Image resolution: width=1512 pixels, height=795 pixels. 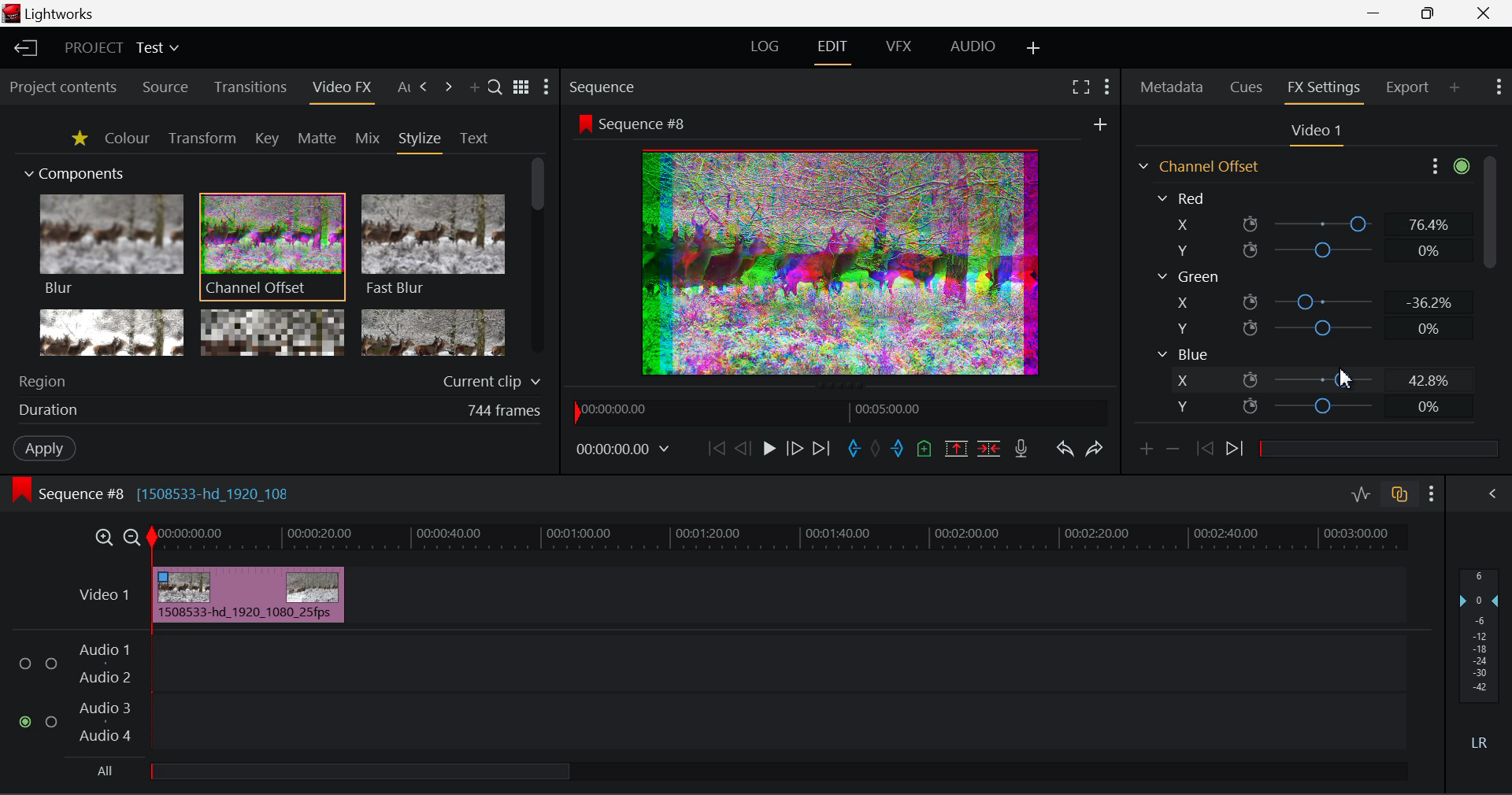 What do you see at coordinates (1306, 250) in the screenshot?
I see `Red Y` at bounding box center [1306, 250].